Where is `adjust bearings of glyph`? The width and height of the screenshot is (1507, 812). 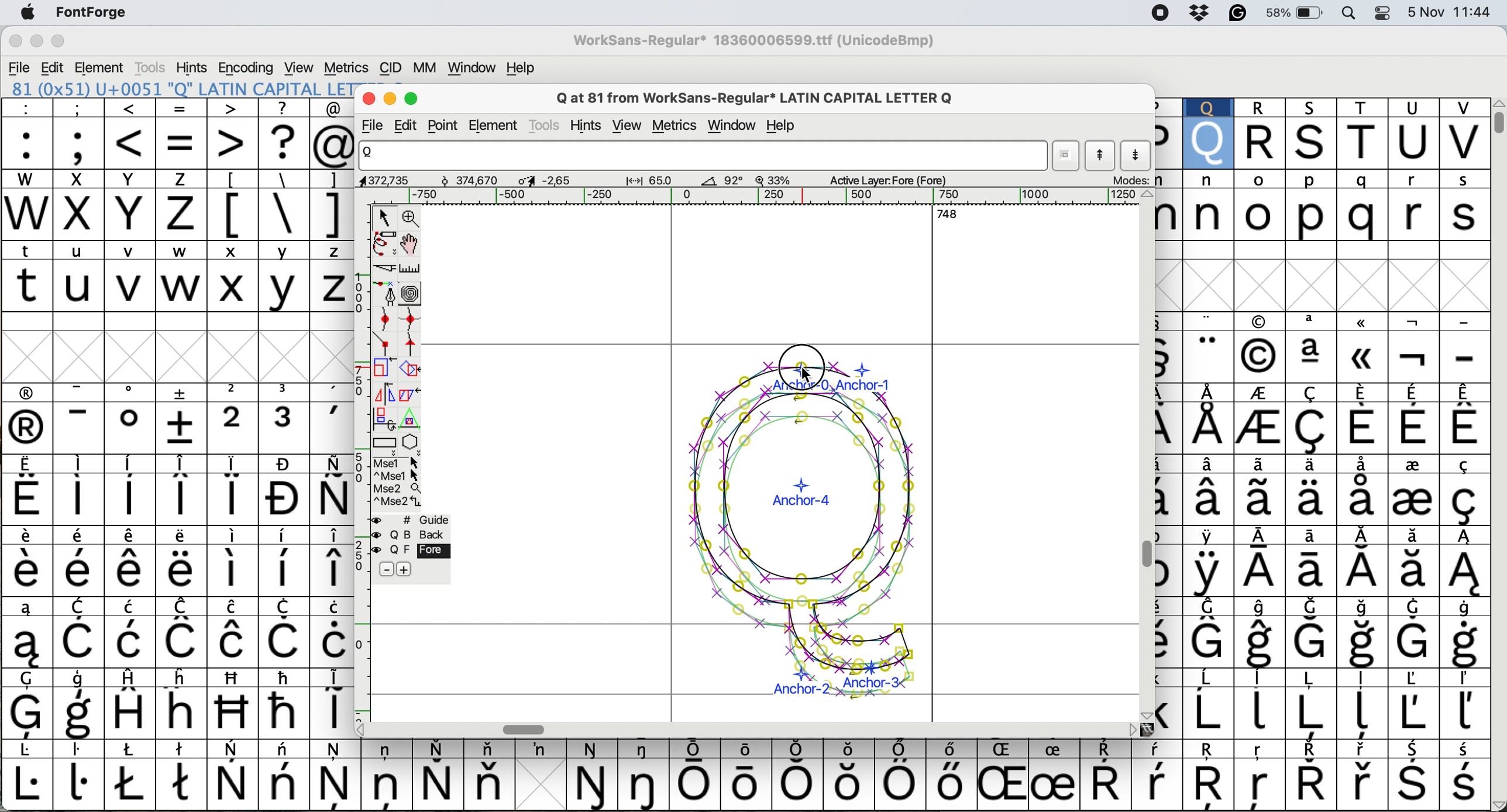 adjust bearings of glyph is located at coordinates (806, 530).